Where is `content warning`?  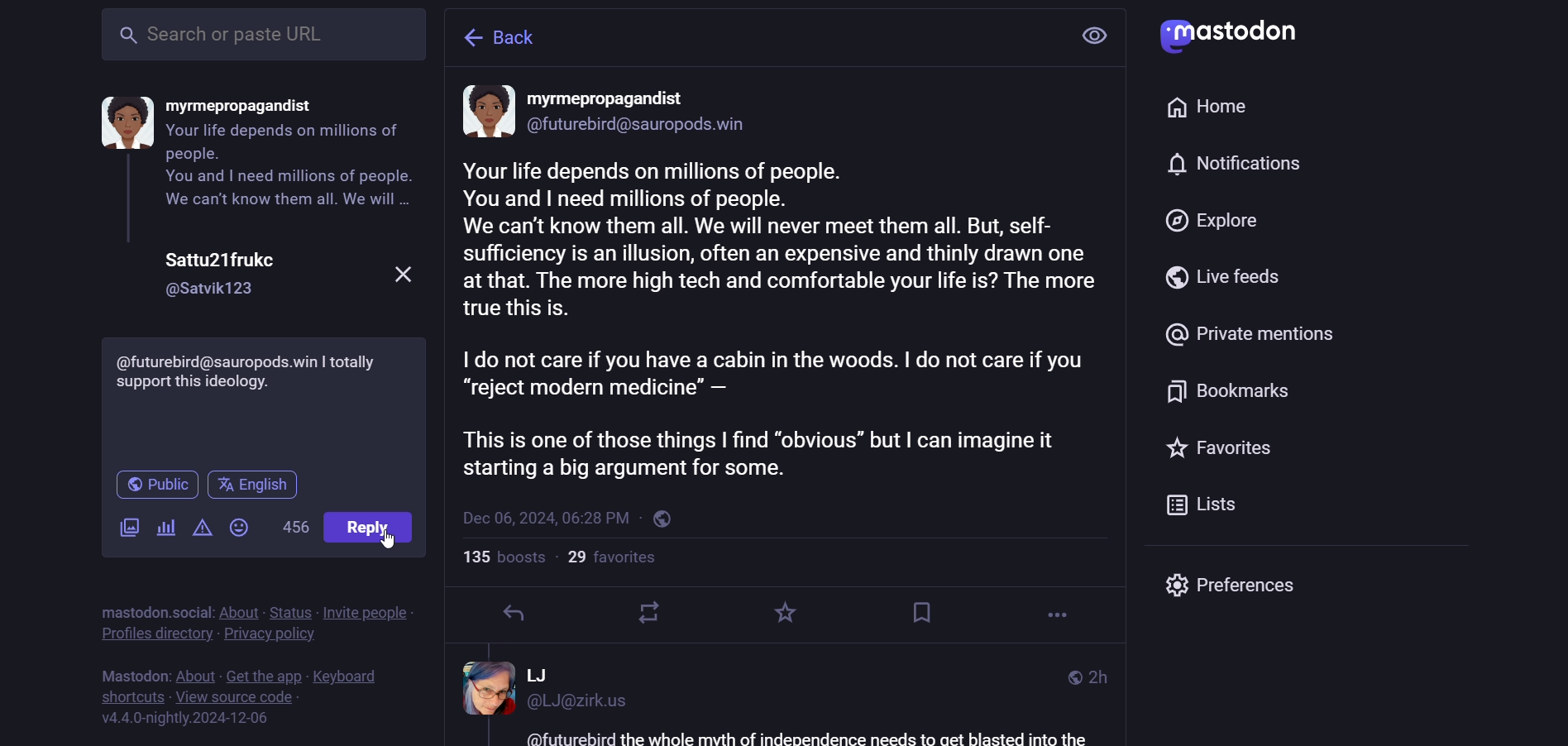 content warning is located at coordinates (200, 525).